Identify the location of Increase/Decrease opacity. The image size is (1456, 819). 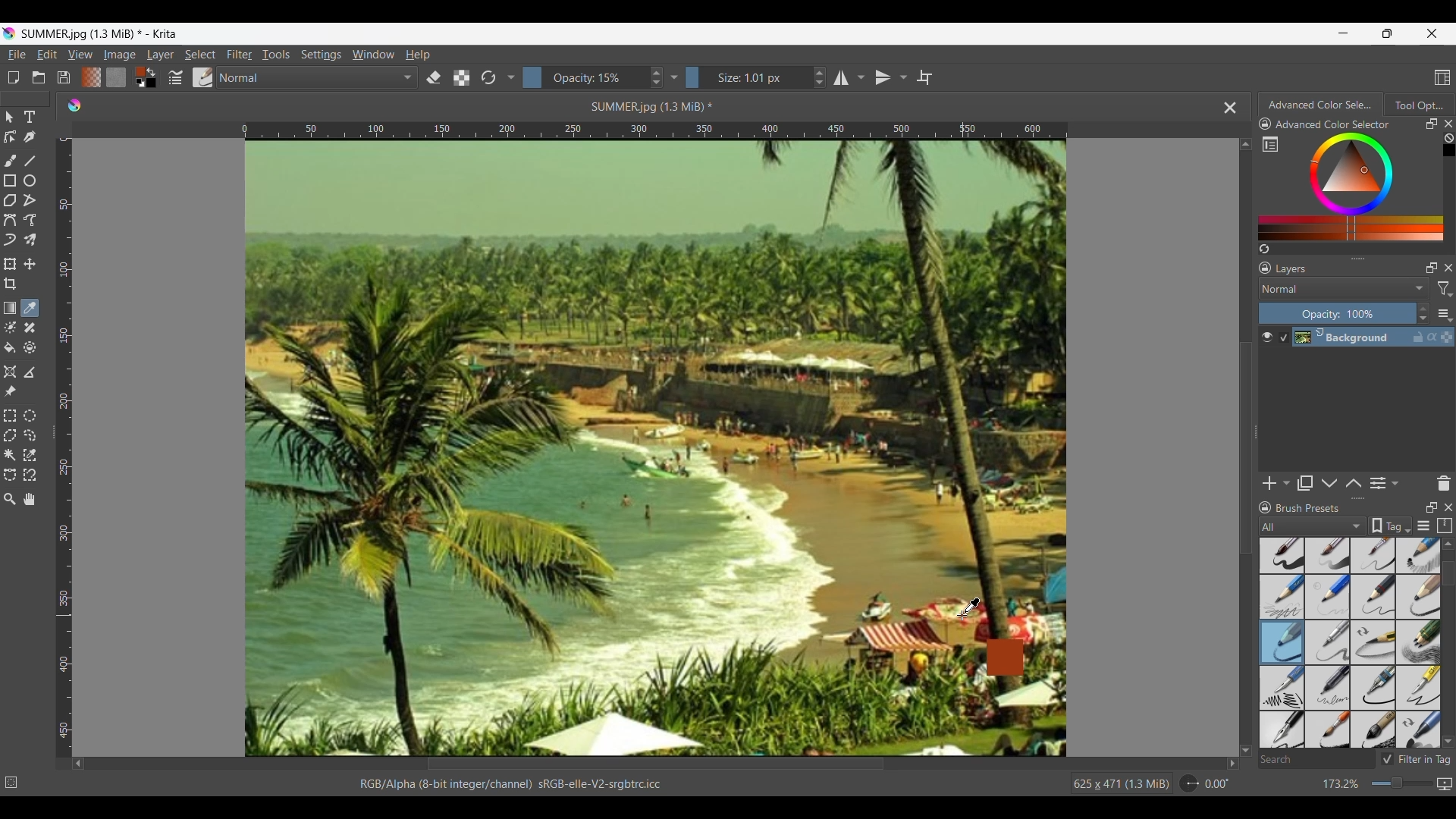
(1423, 314).